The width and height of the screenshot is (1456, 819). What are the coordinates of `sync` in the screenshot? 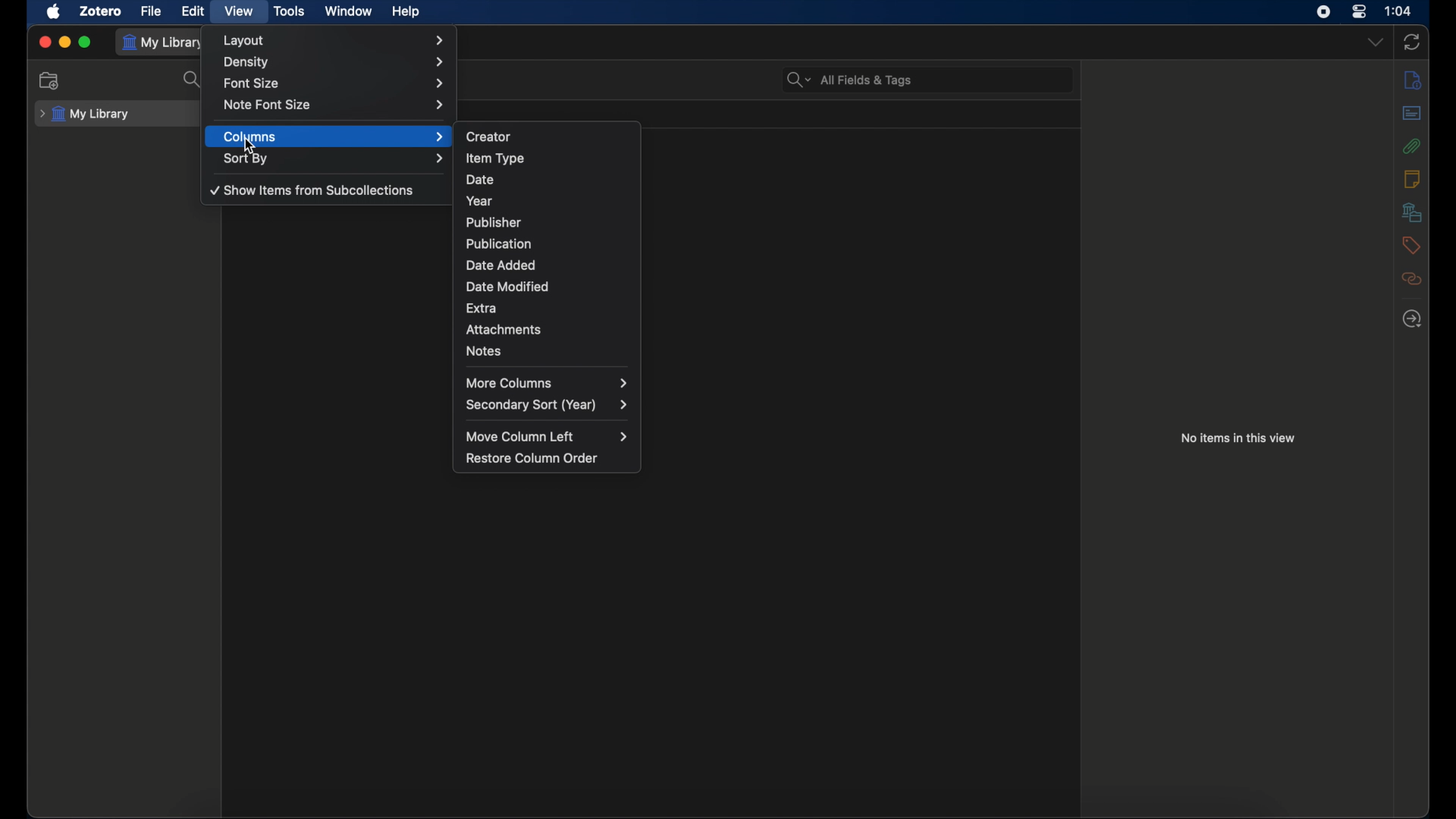 It's located at (1412, 42).